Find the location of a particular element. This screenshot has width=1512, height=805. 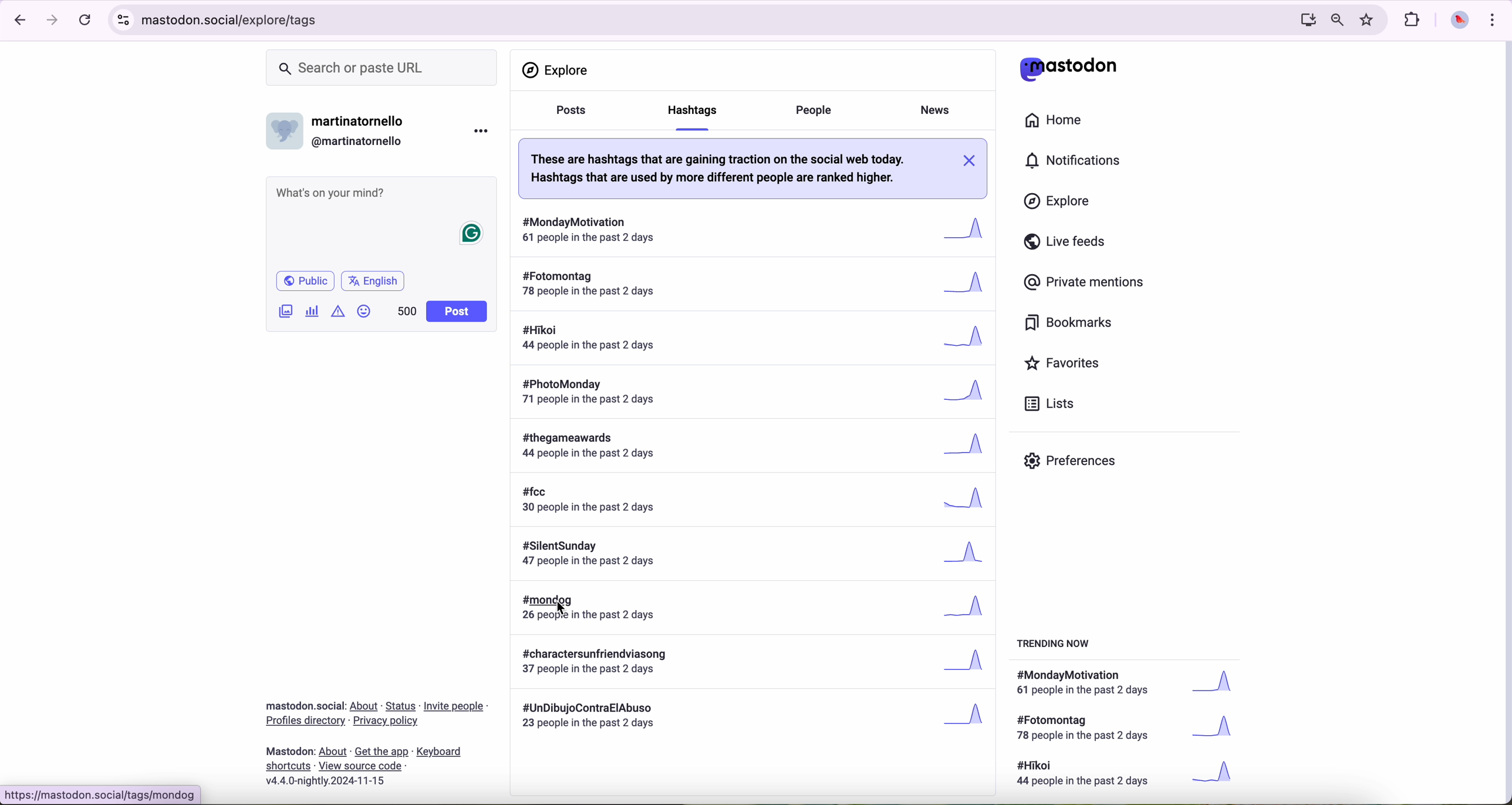

#PhotoMonday is located at coordinates (757, 393).